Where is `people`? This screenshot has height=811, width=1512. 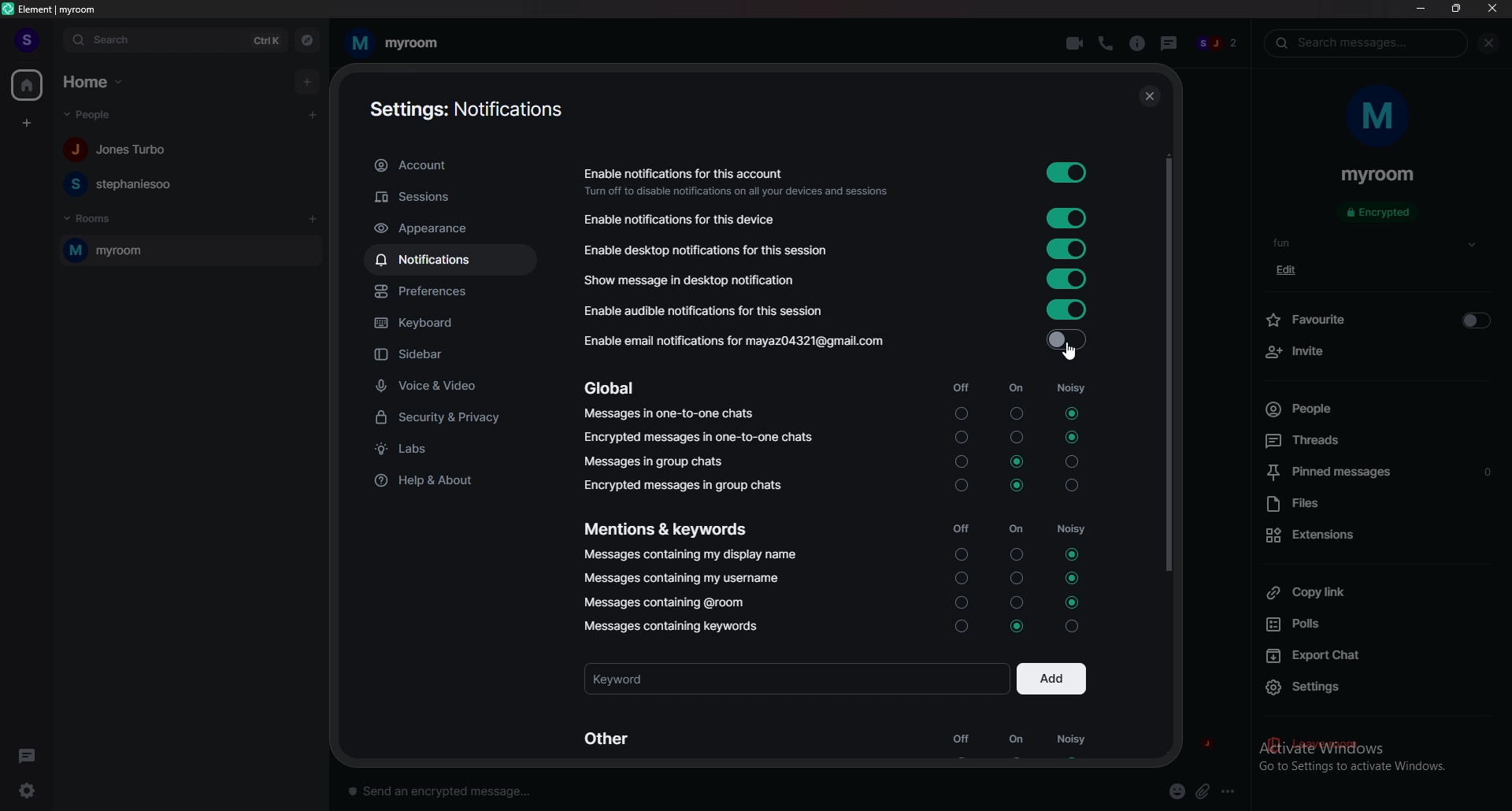
people is located at coordinates (122, 183).